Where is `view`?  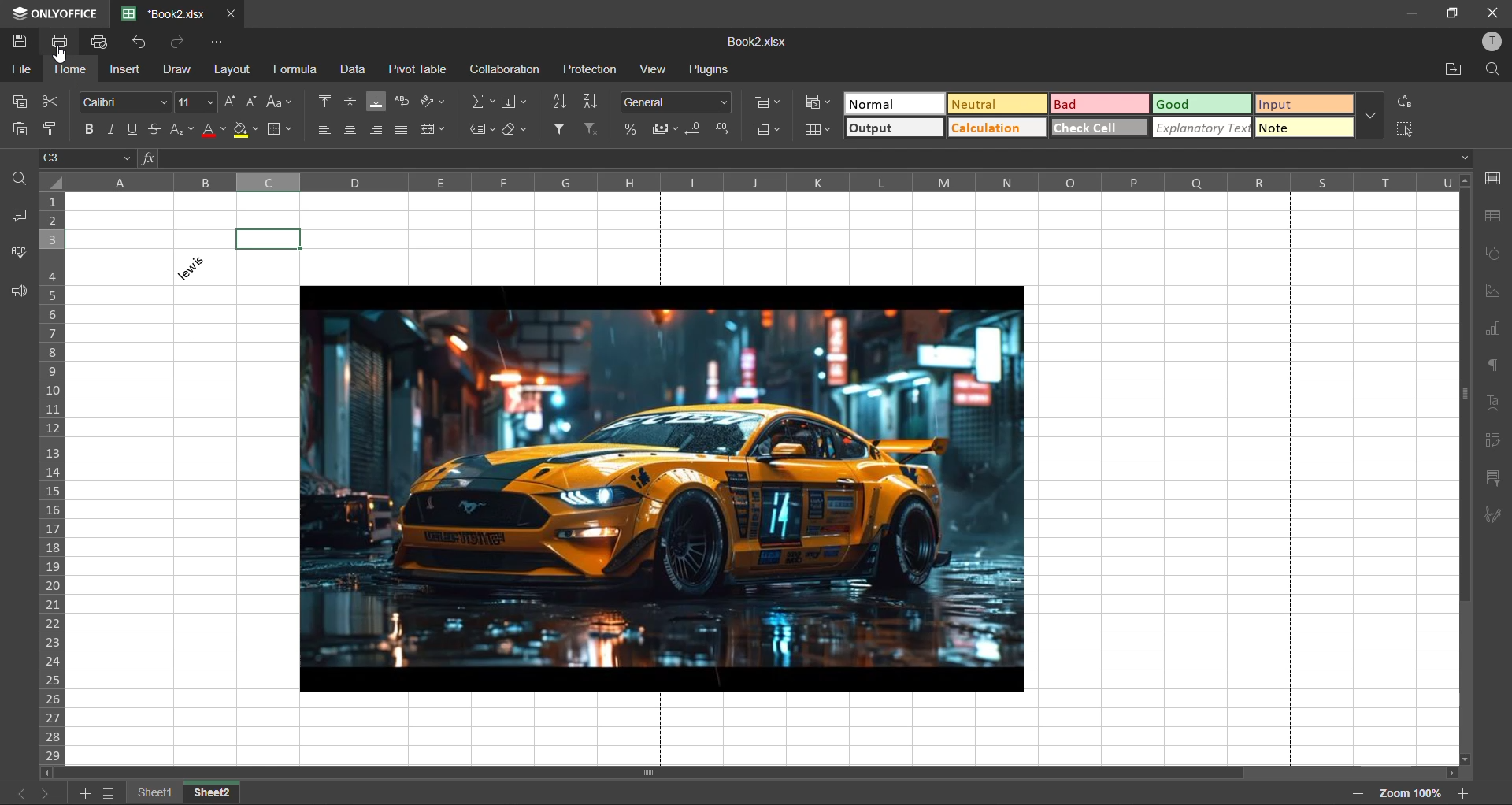 view is located at coordinates (651, 69).